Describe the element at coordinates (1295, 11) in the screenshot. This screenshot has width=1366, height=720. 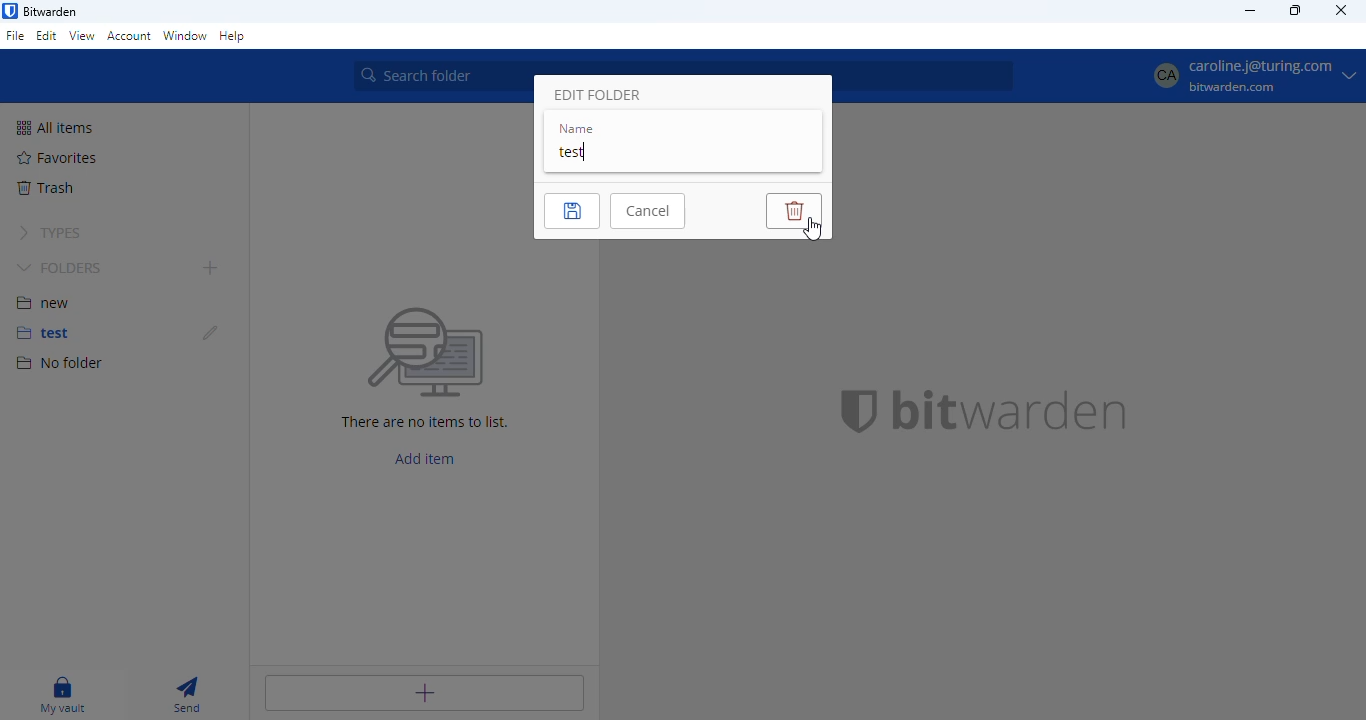
I see `maximize` at that location.